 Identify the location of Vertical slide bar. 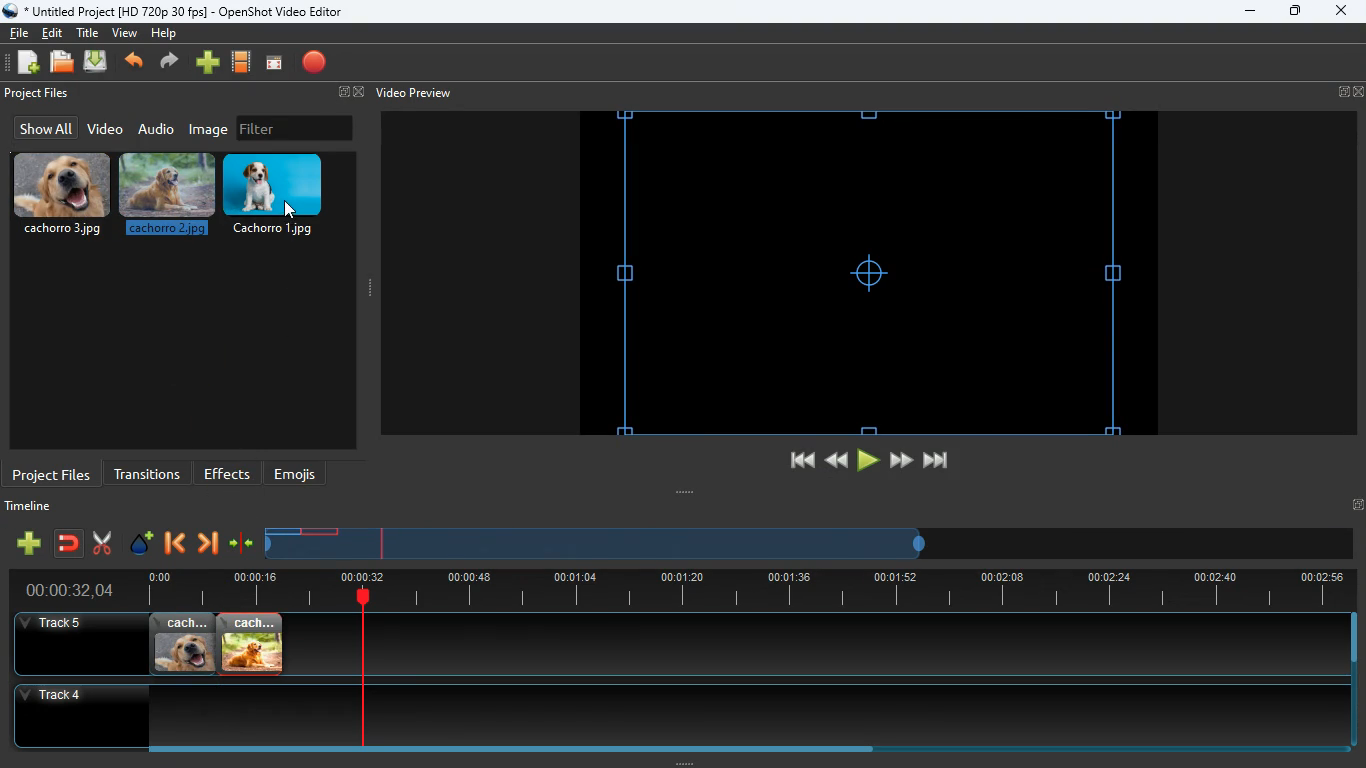
(1354, 680).